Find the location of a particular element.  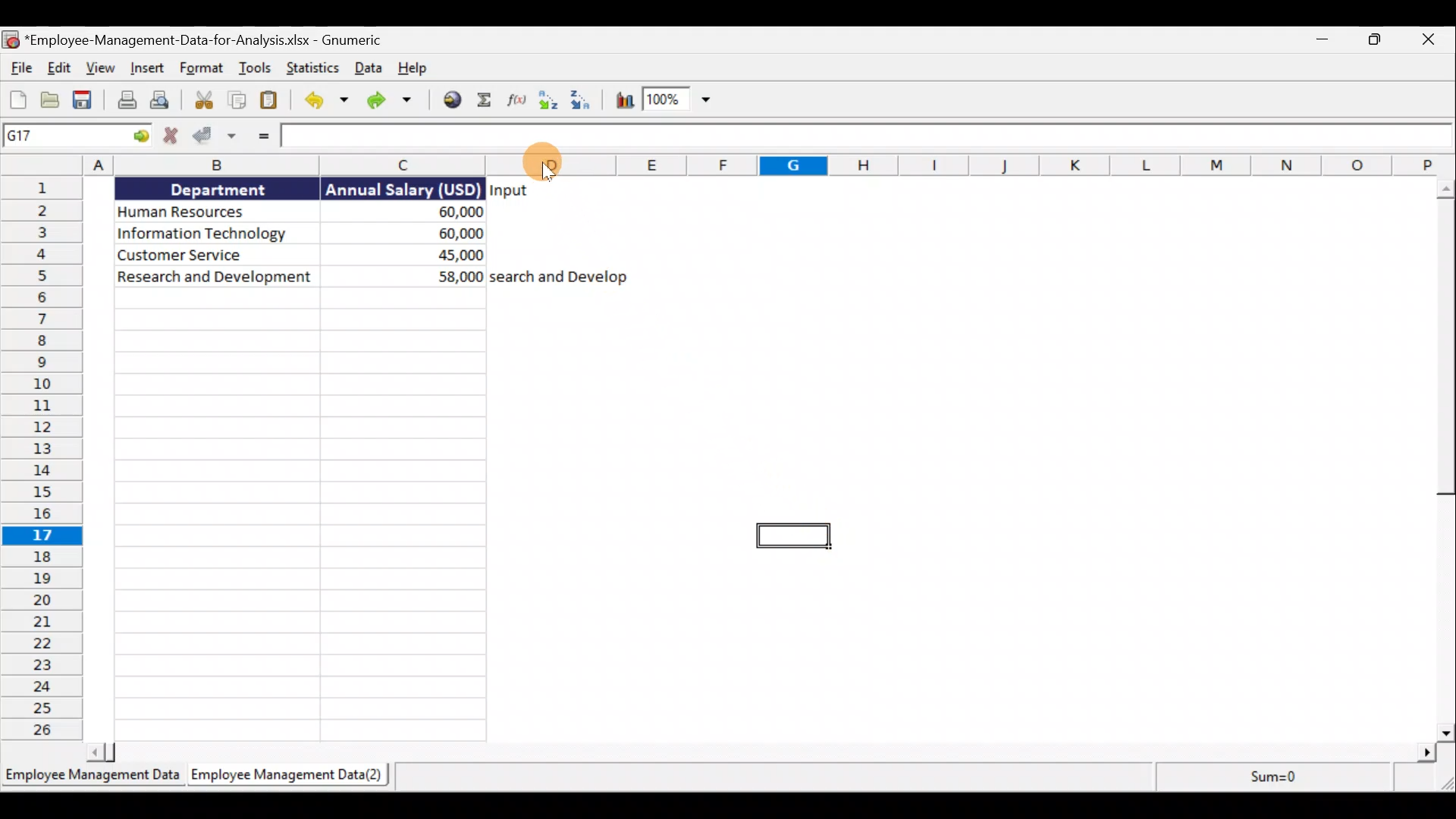

Sum=0 is located at coordinates (1305, 780).